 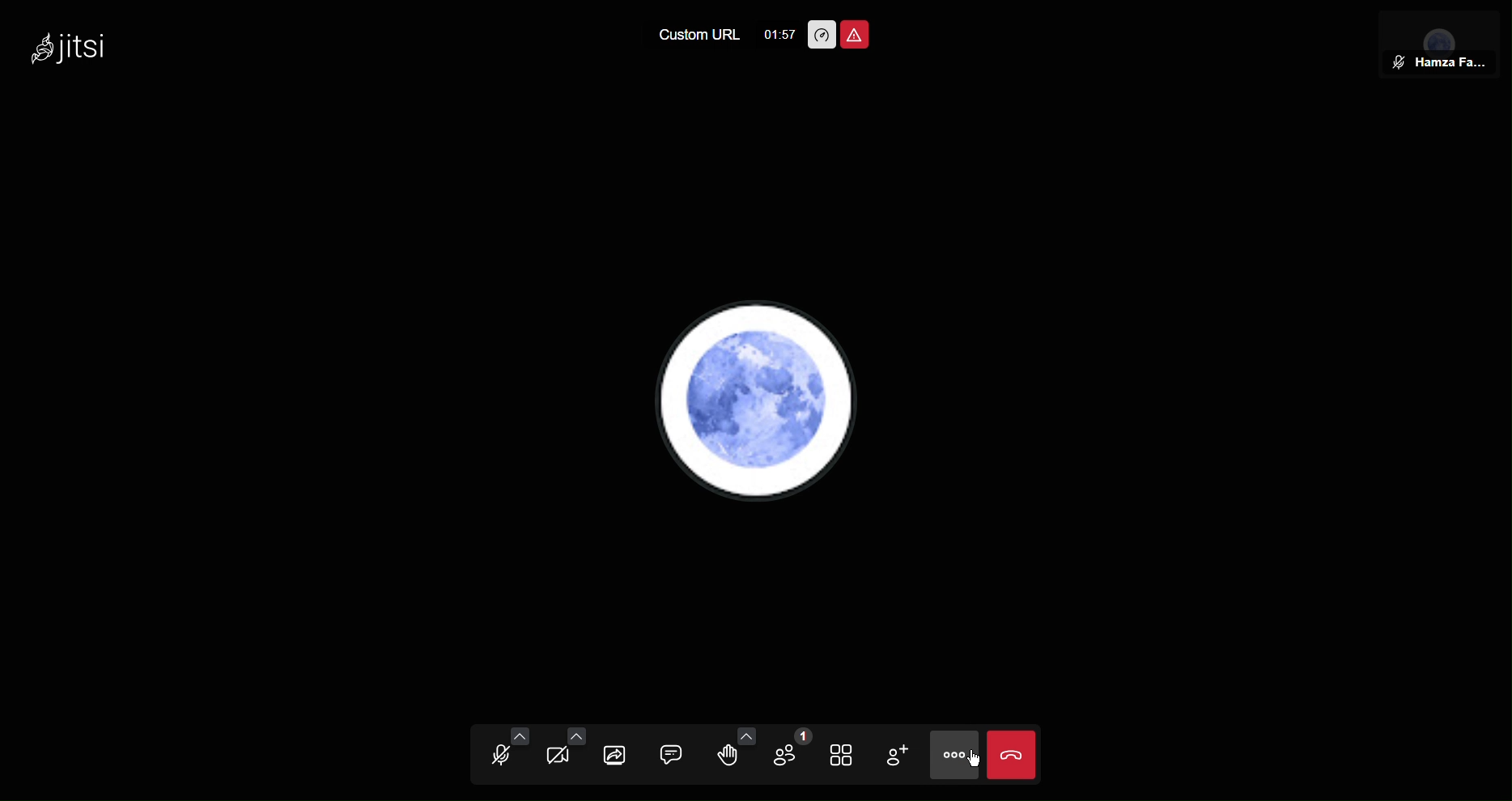 What do you see at coordinates (733, 757) in the screenshot?
I see `Raise Hand` at bounding box center [733, 757].